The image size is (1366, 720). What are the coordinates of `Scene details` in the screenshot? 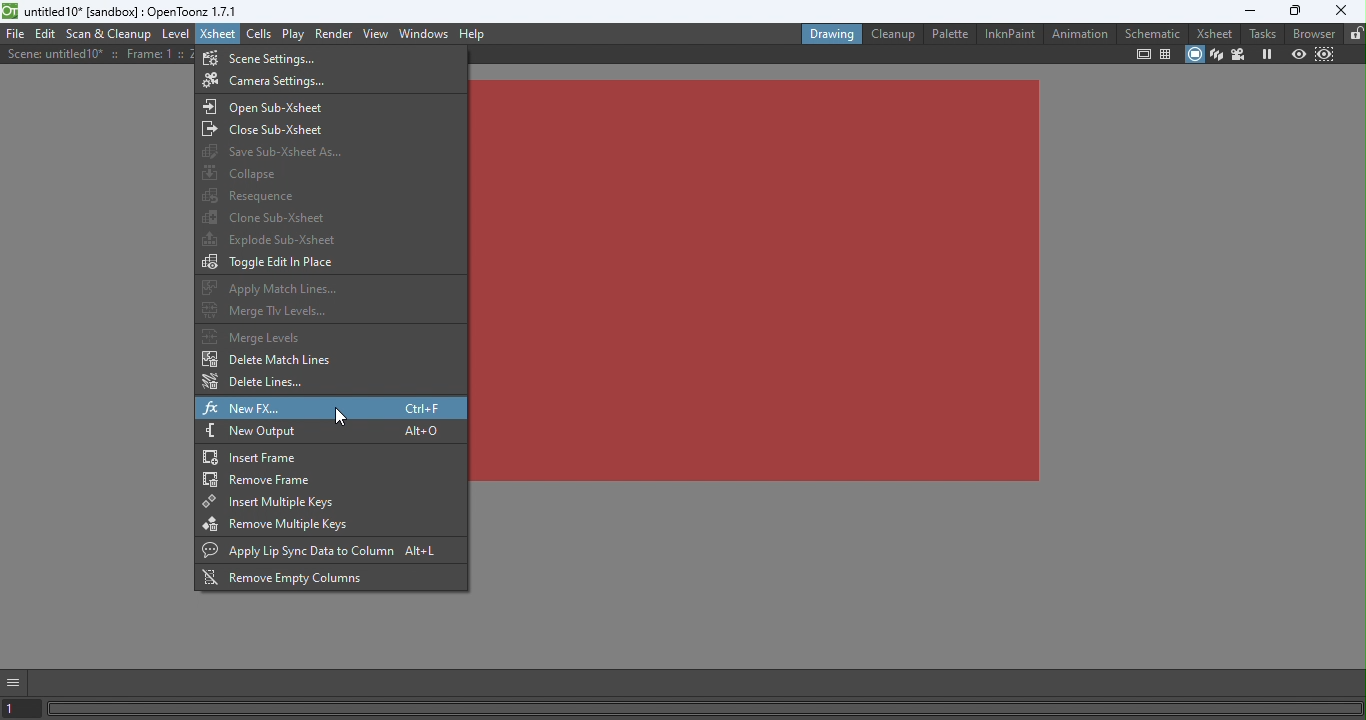 It's located at (100, 54).